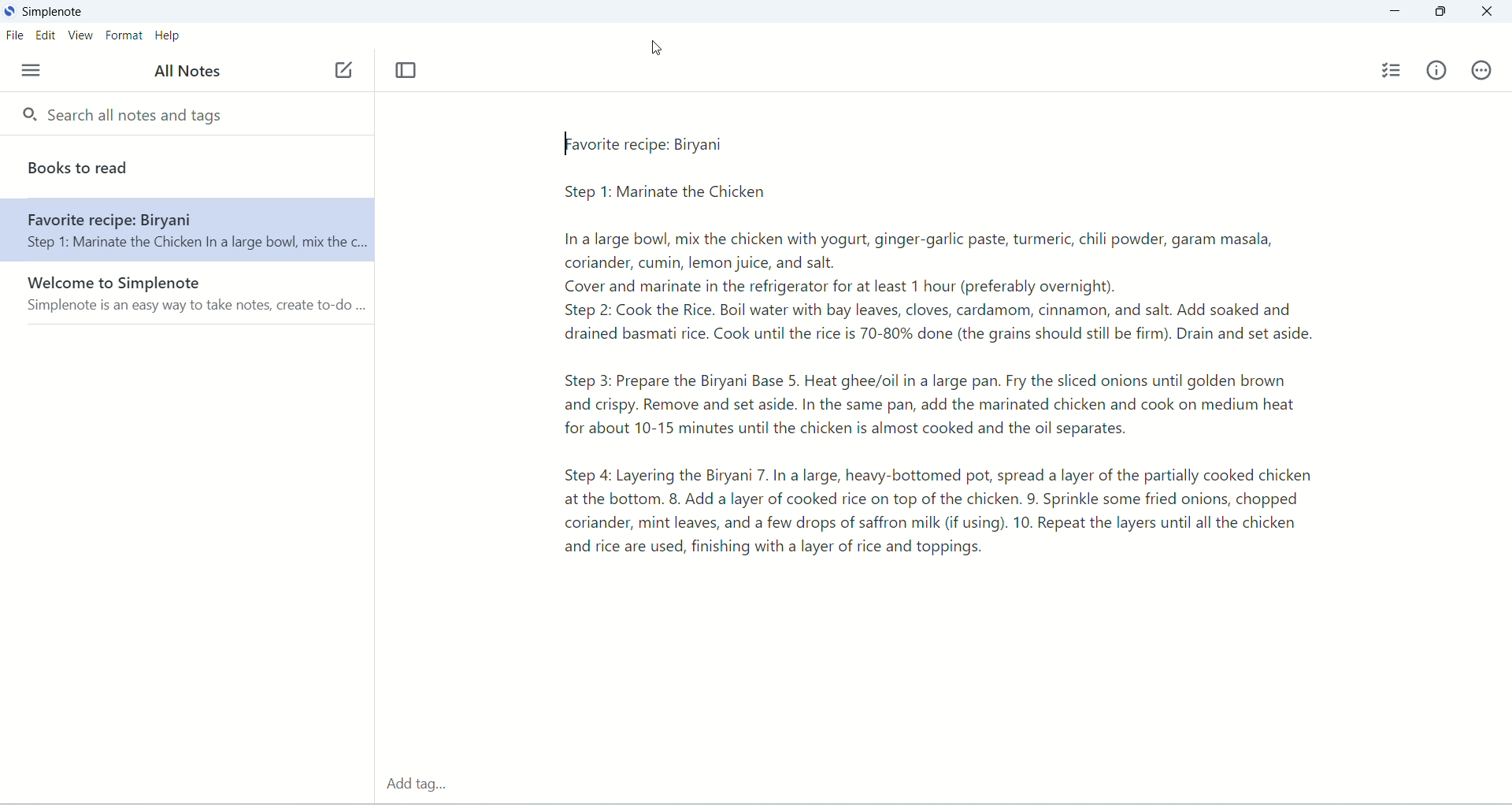 The width and height of the screenshot is (1512, 805). Describe the element at coordinates (407, 70) in the screenshot. I see `toggle focus mode` at that location.